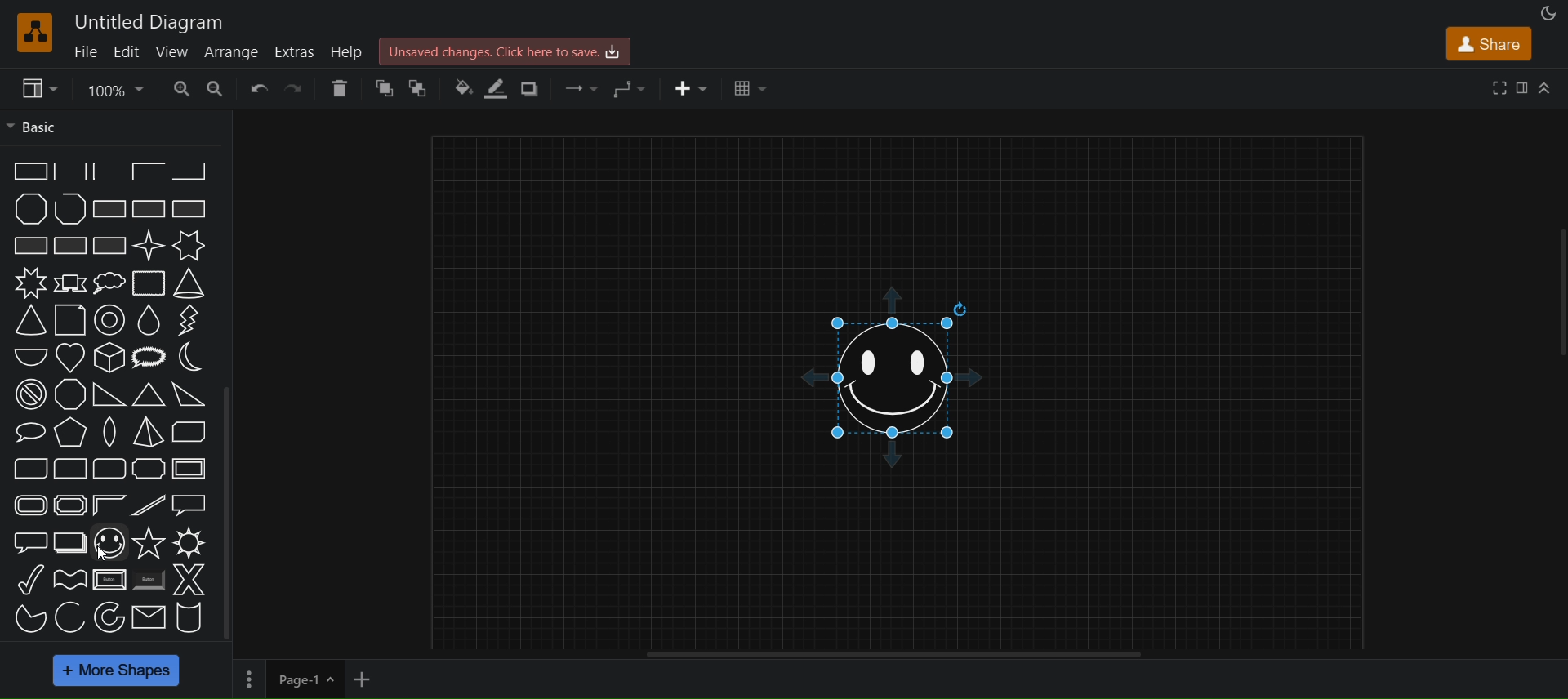  I want to click on rectangle with vertical fill, so click(29, 245).